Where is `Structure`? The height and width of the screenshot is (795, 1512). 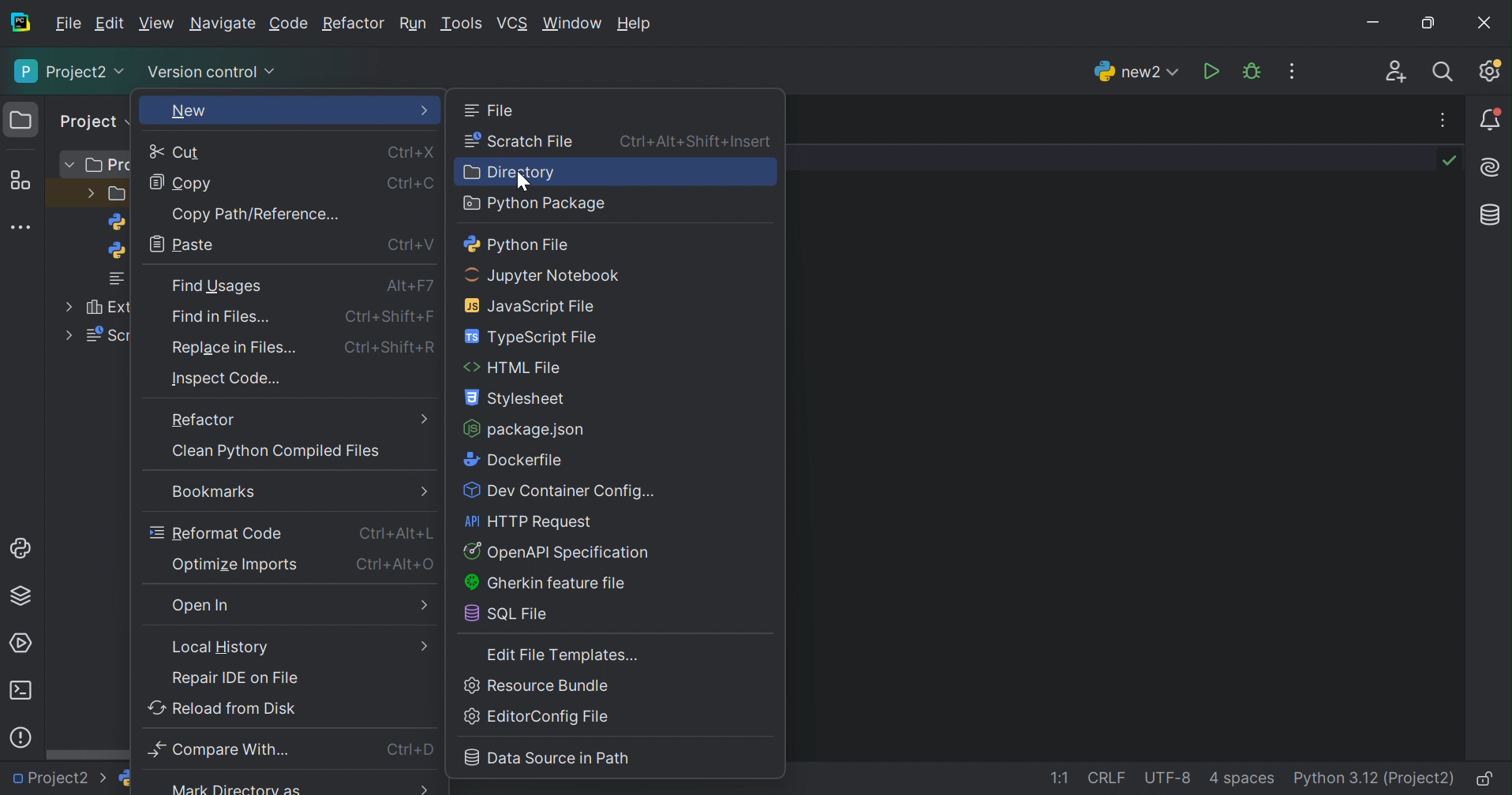
Structure is located at coordinates (21, 181).